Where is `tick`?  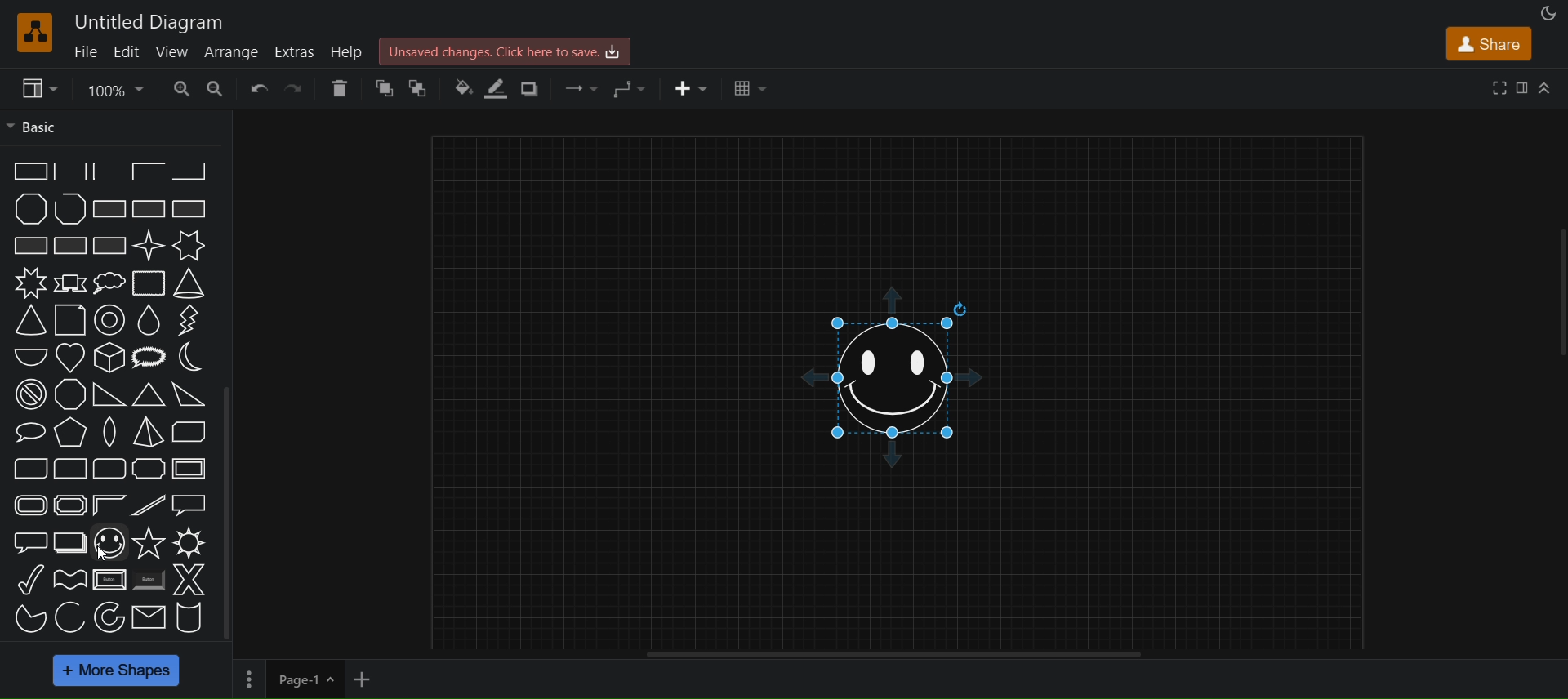
tick is located at coordinates (31, 581).